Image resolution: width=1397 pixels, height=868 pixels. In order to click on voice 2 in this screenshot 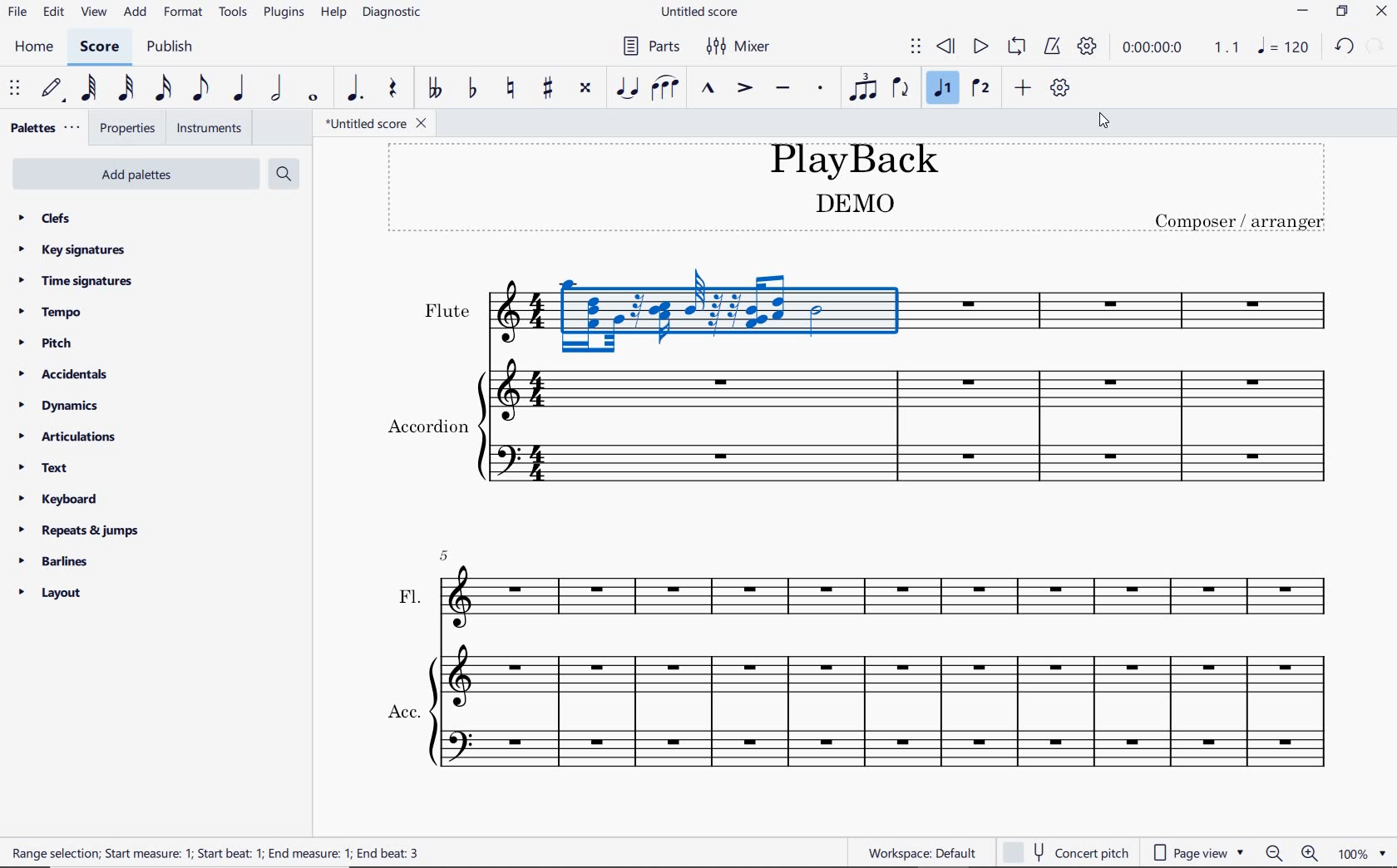, I will do `click(980, 88)`.